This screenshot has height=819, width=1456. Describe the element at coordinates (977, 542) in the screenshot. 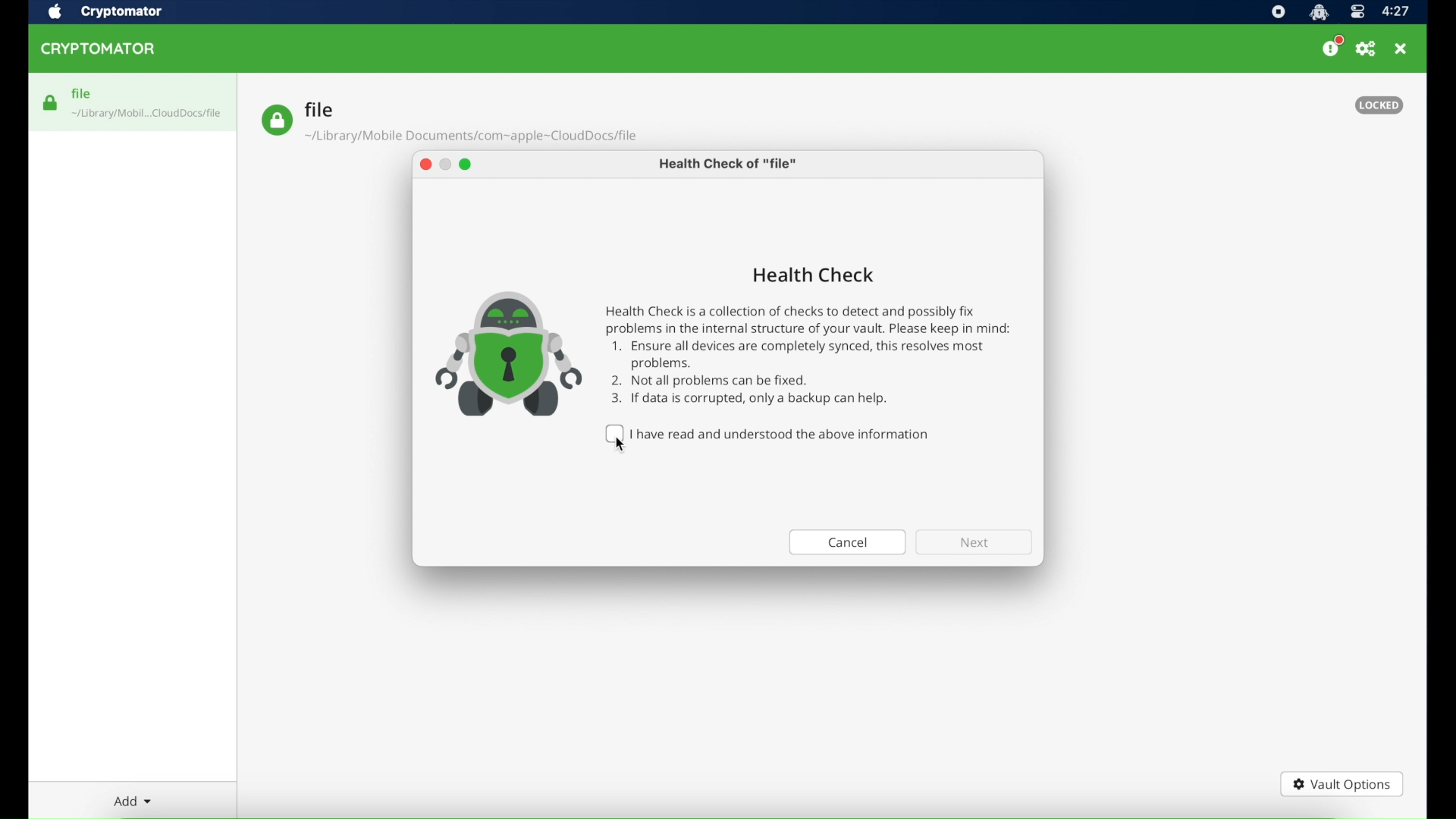

I see `next` at that location.